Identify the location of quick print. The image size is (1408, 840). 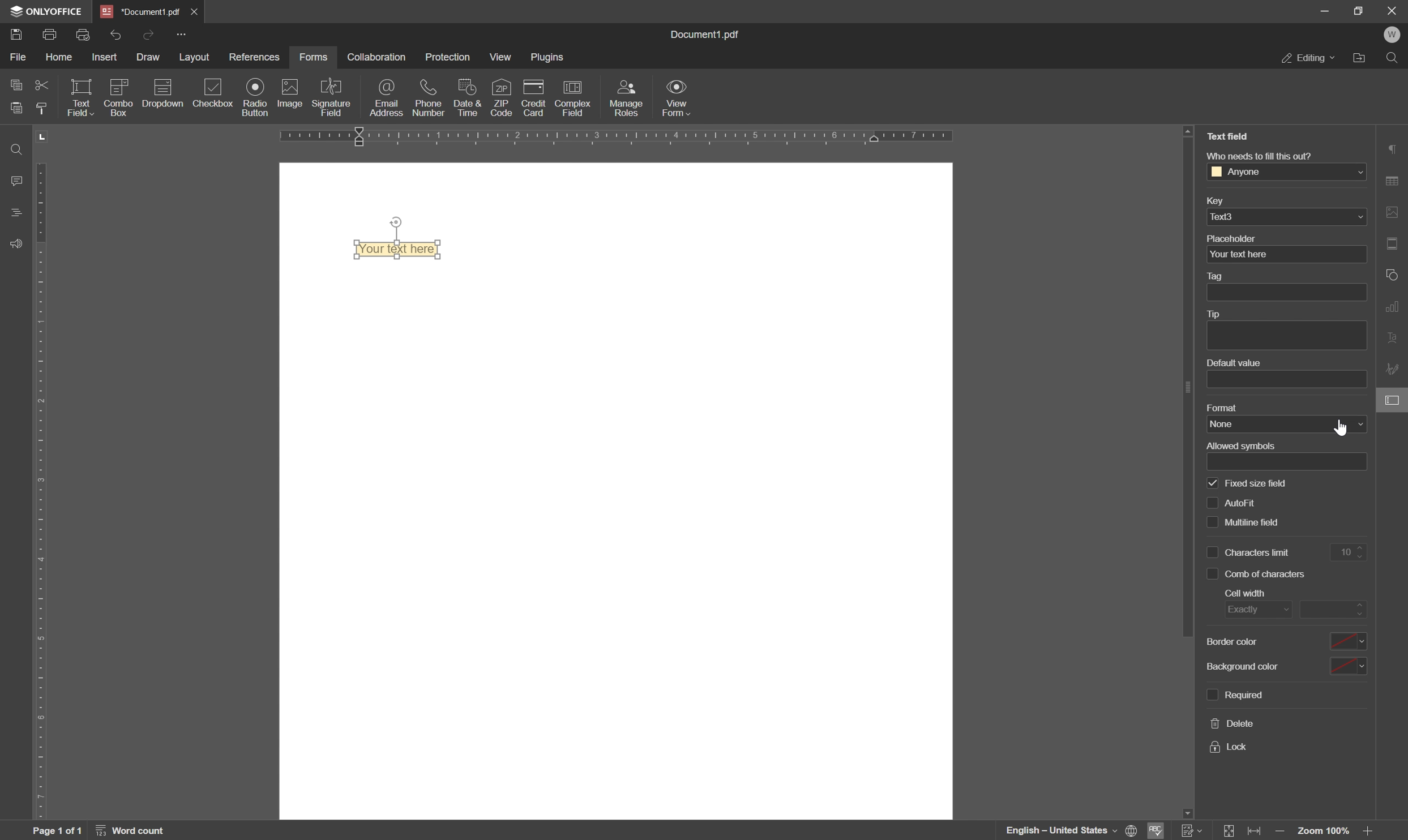
(88, 35).